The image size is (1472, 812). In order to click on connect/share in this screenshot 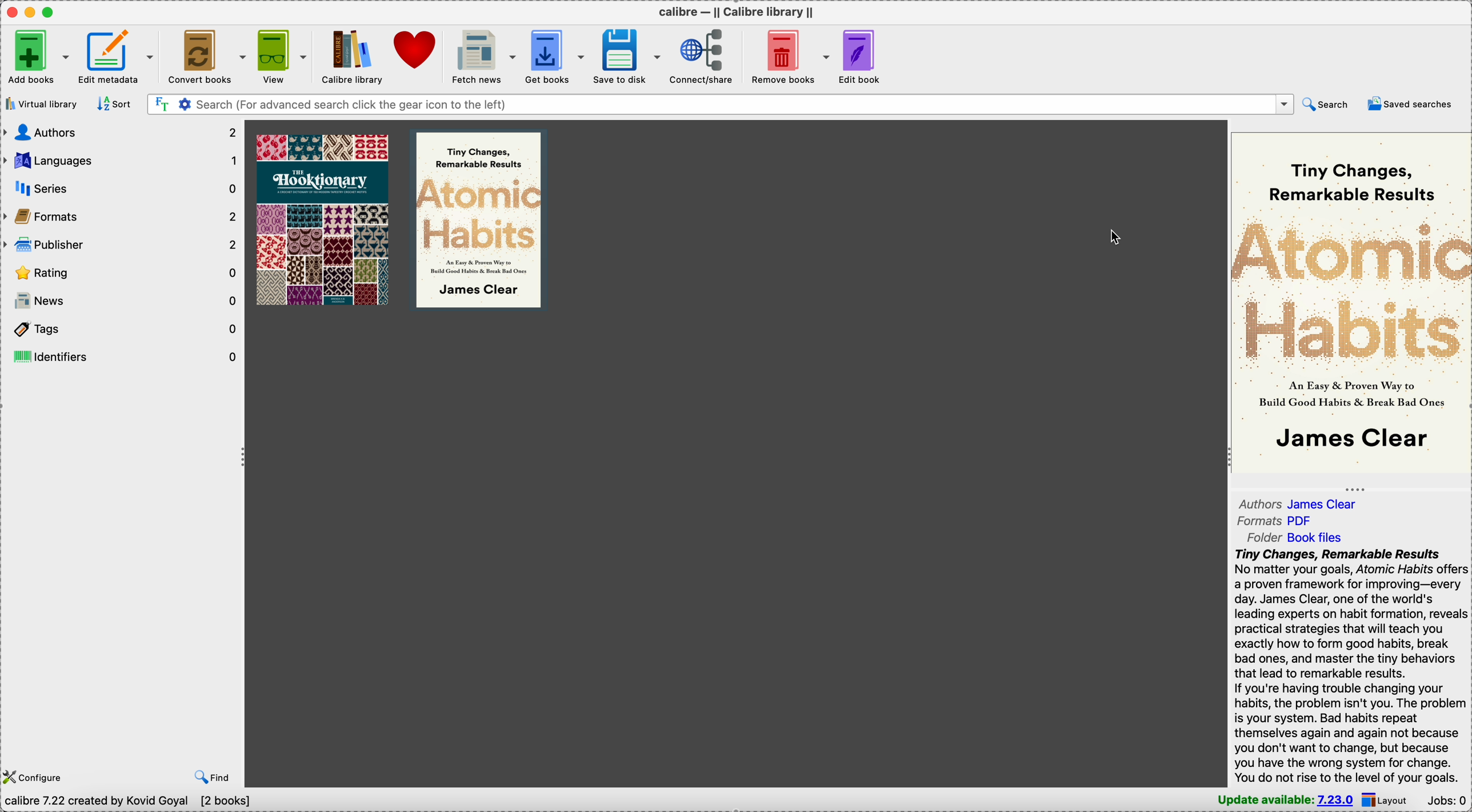, I will do `click(704, 55)`.